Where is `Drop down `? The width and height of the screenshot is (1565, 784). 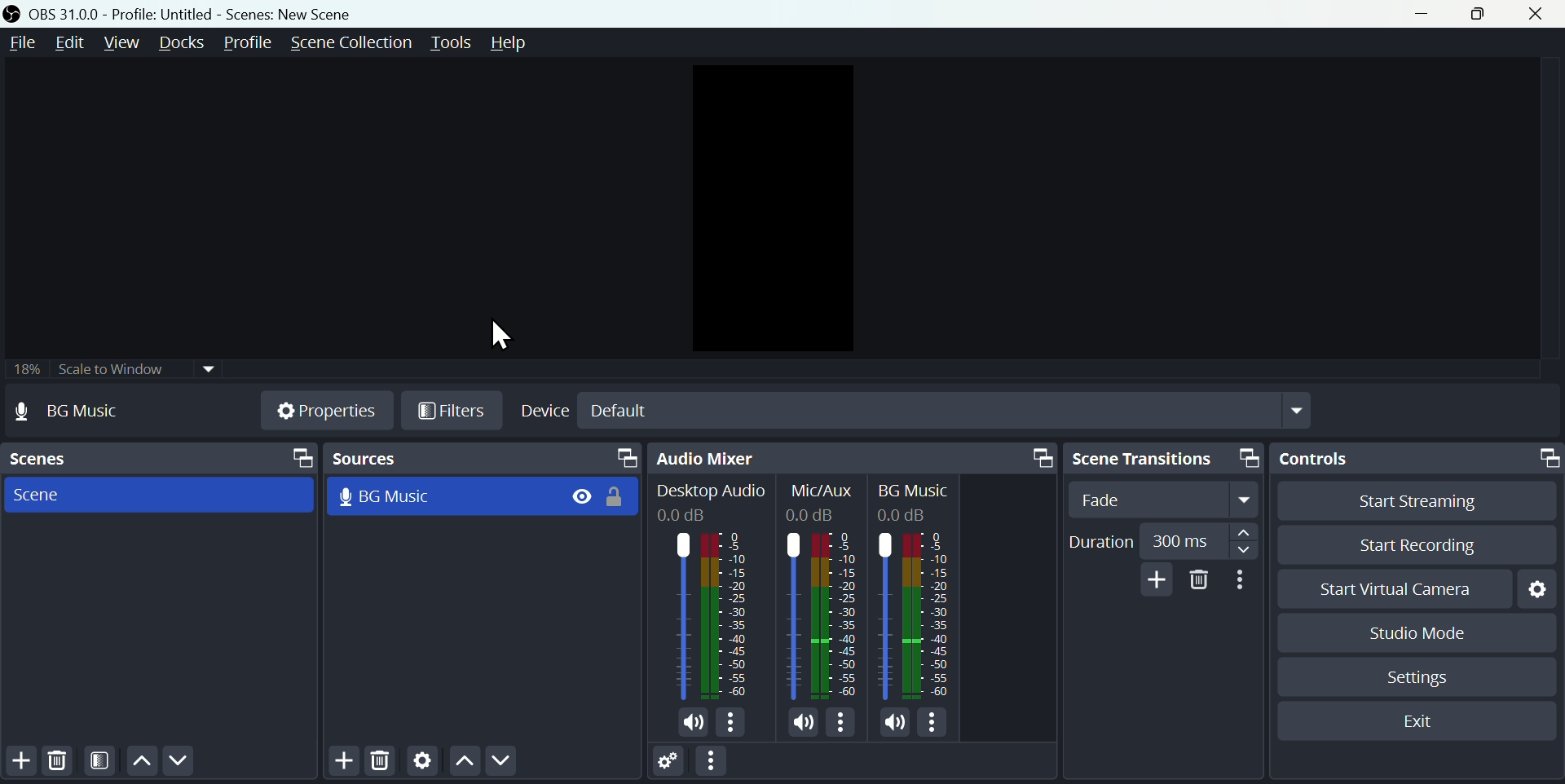
Drop down  is located at coordinates (1300, 410).